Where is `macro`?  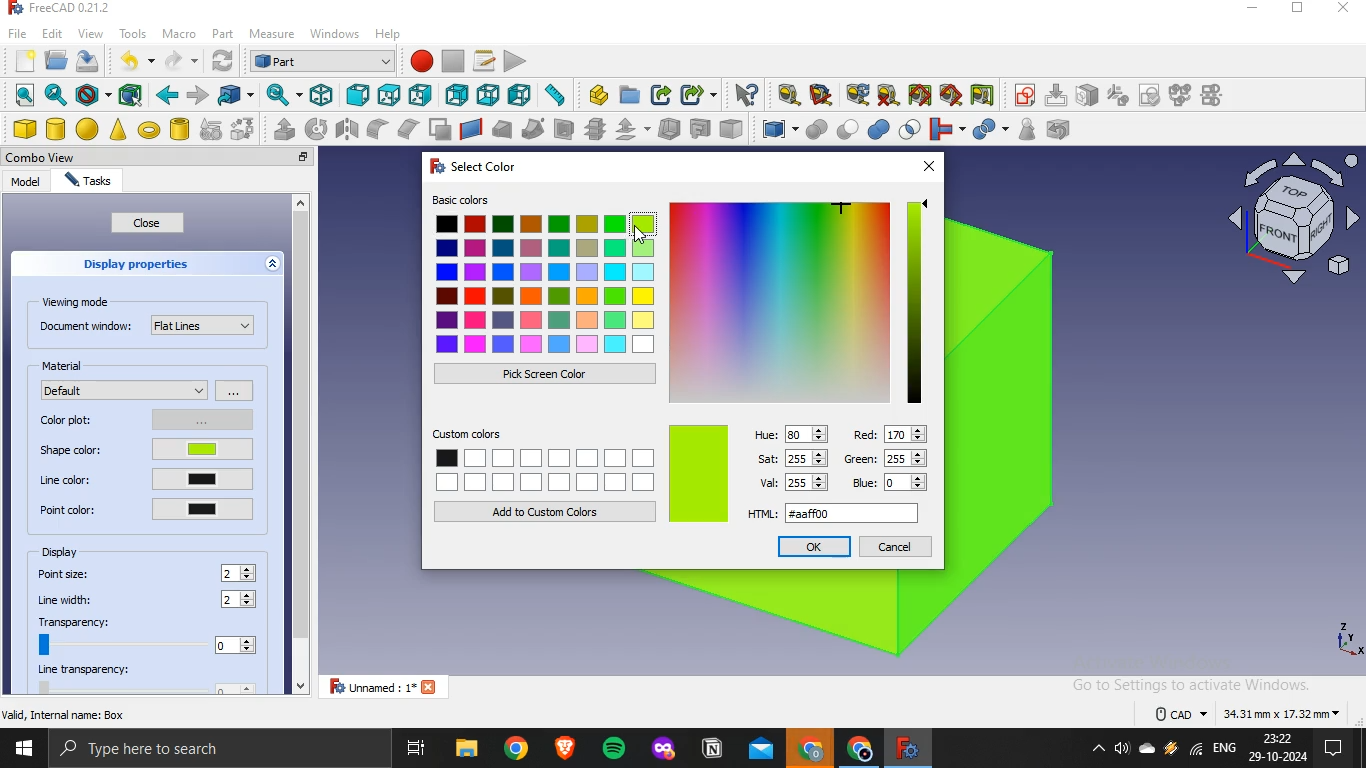 macro is located at coordinates (178, 34).